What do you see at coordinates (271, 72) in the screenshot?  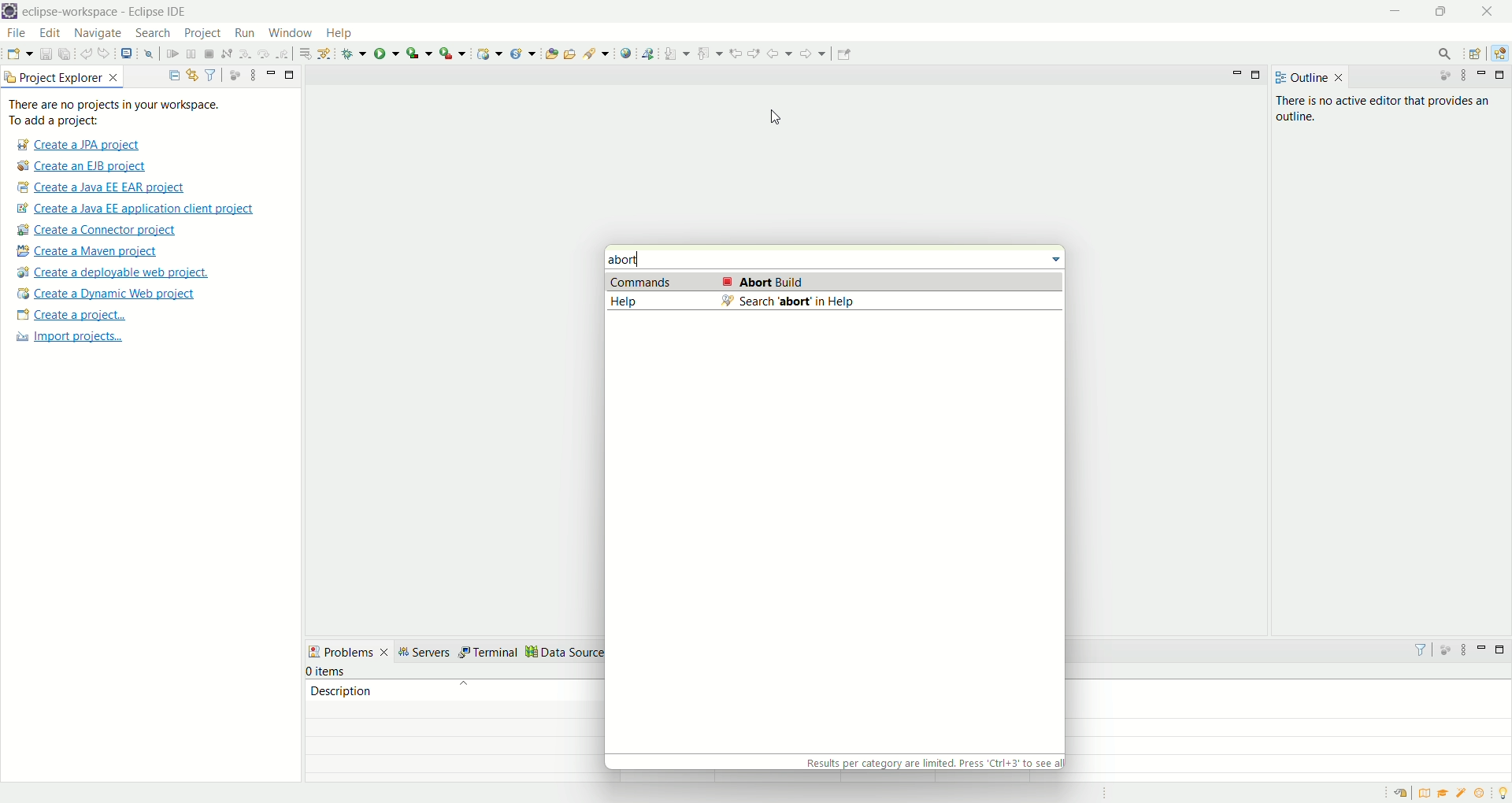 I see `minimize` at bounding box center [271, 72].